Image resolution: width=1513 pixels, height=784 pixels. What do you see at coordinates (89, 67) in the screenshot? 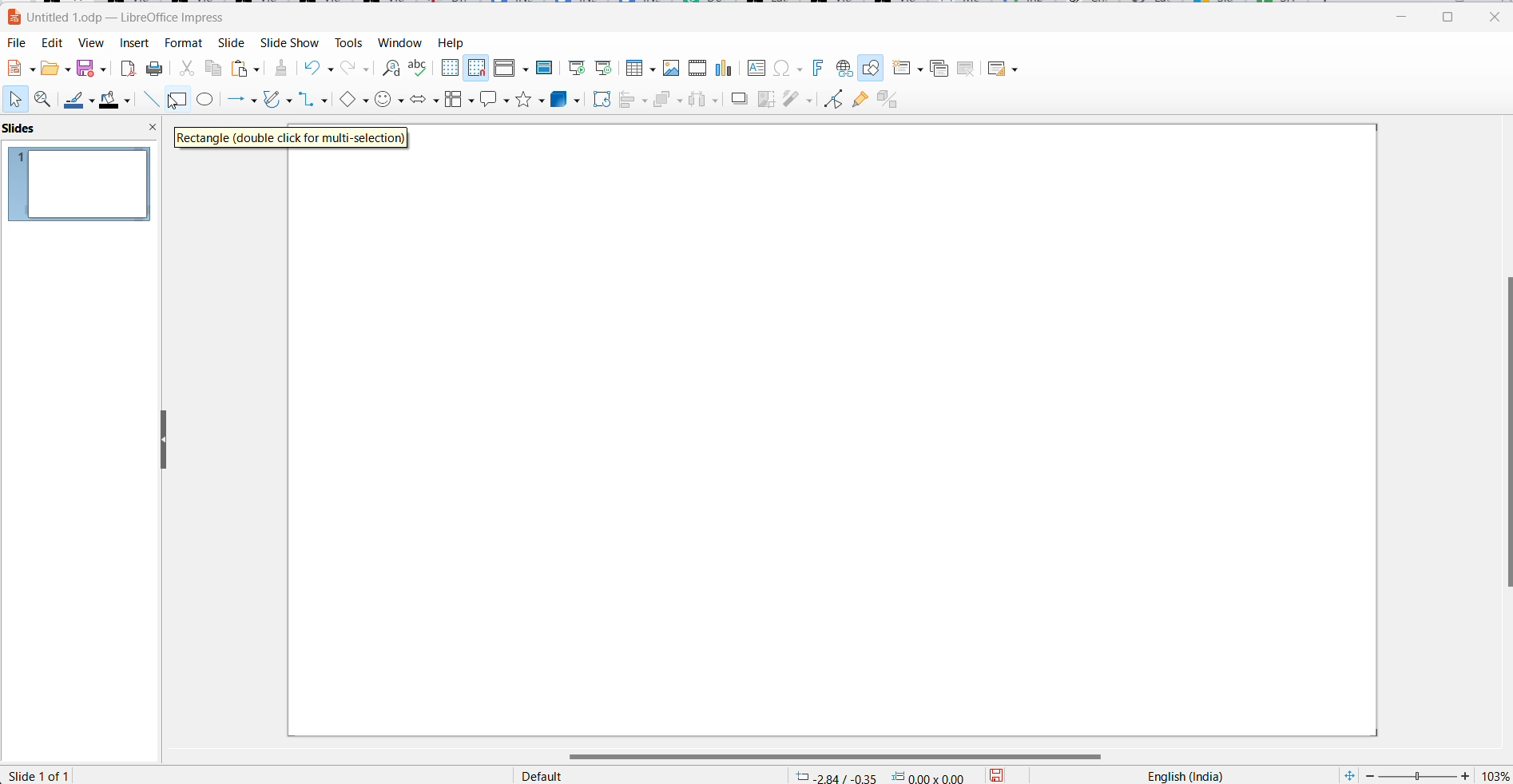
I see `save option` at bounding box center [89, 67].